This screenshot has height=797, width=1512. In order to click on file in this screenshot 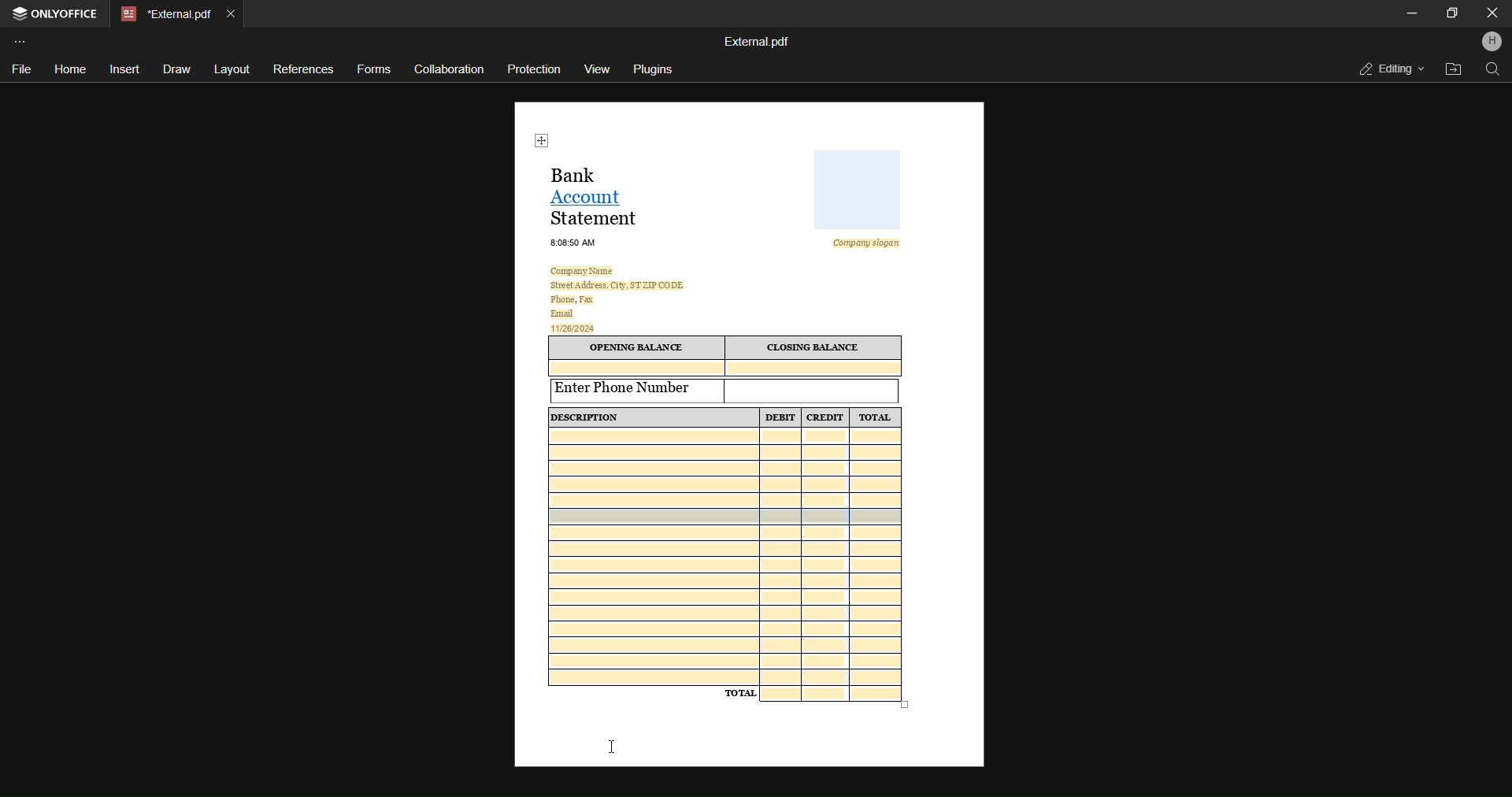, I will do `click(19, 71)`.